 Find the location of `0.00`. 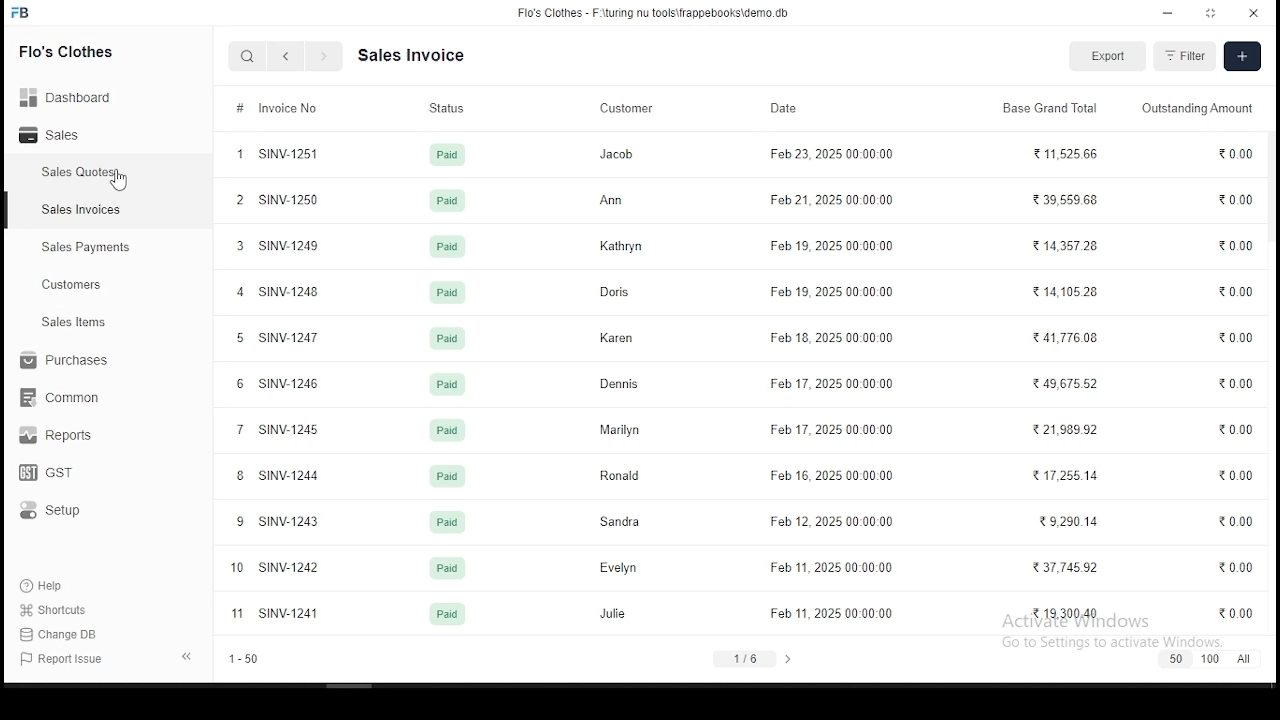

0.00 is located at coordinates (1232, 427).